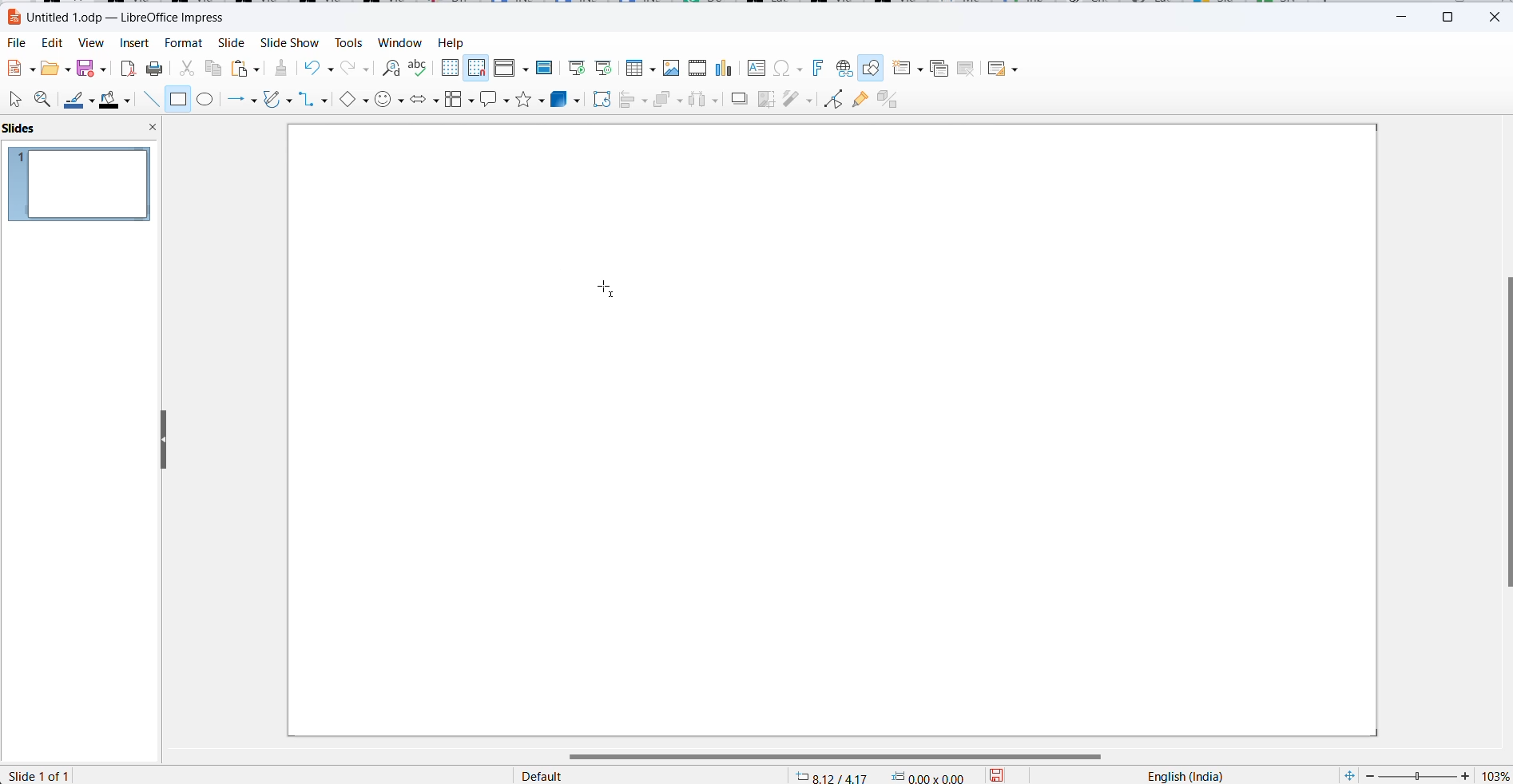  Describe the element at coordinates (1001, 774) in the screenshot. I see `save options` at that location.